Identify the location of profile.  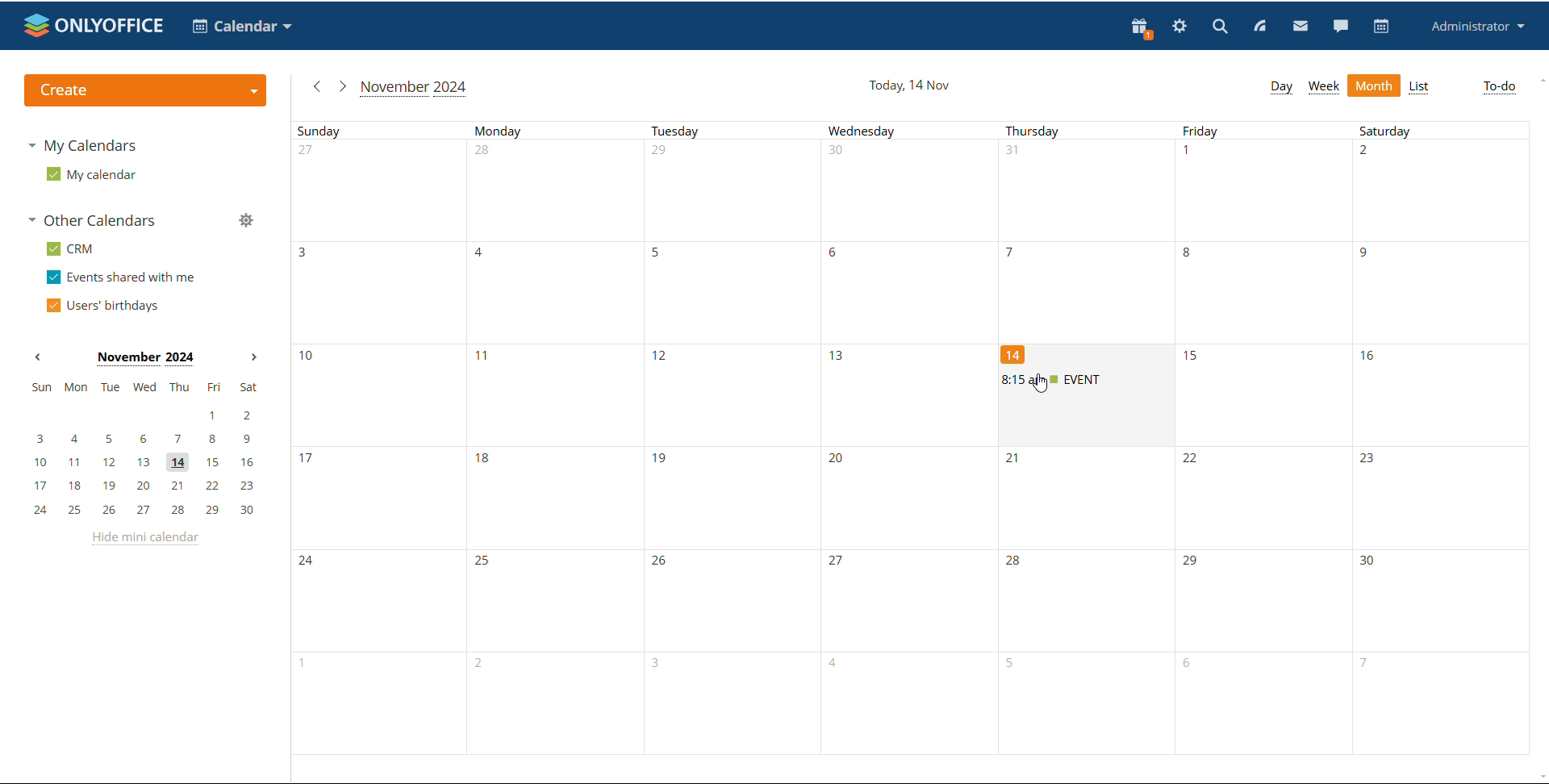
(1475, 27).